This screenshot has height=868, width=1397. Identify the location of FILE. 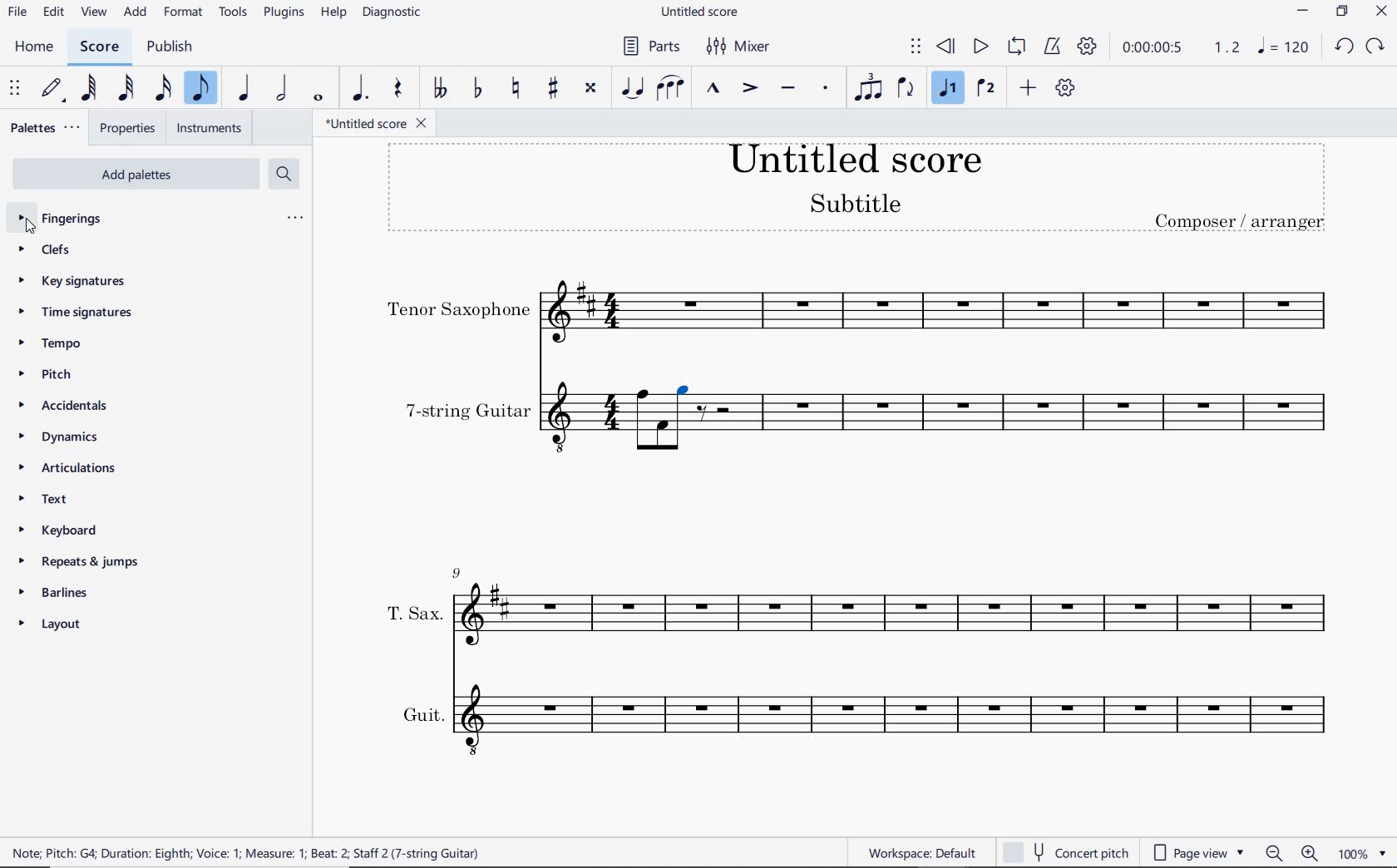
(17, 14).